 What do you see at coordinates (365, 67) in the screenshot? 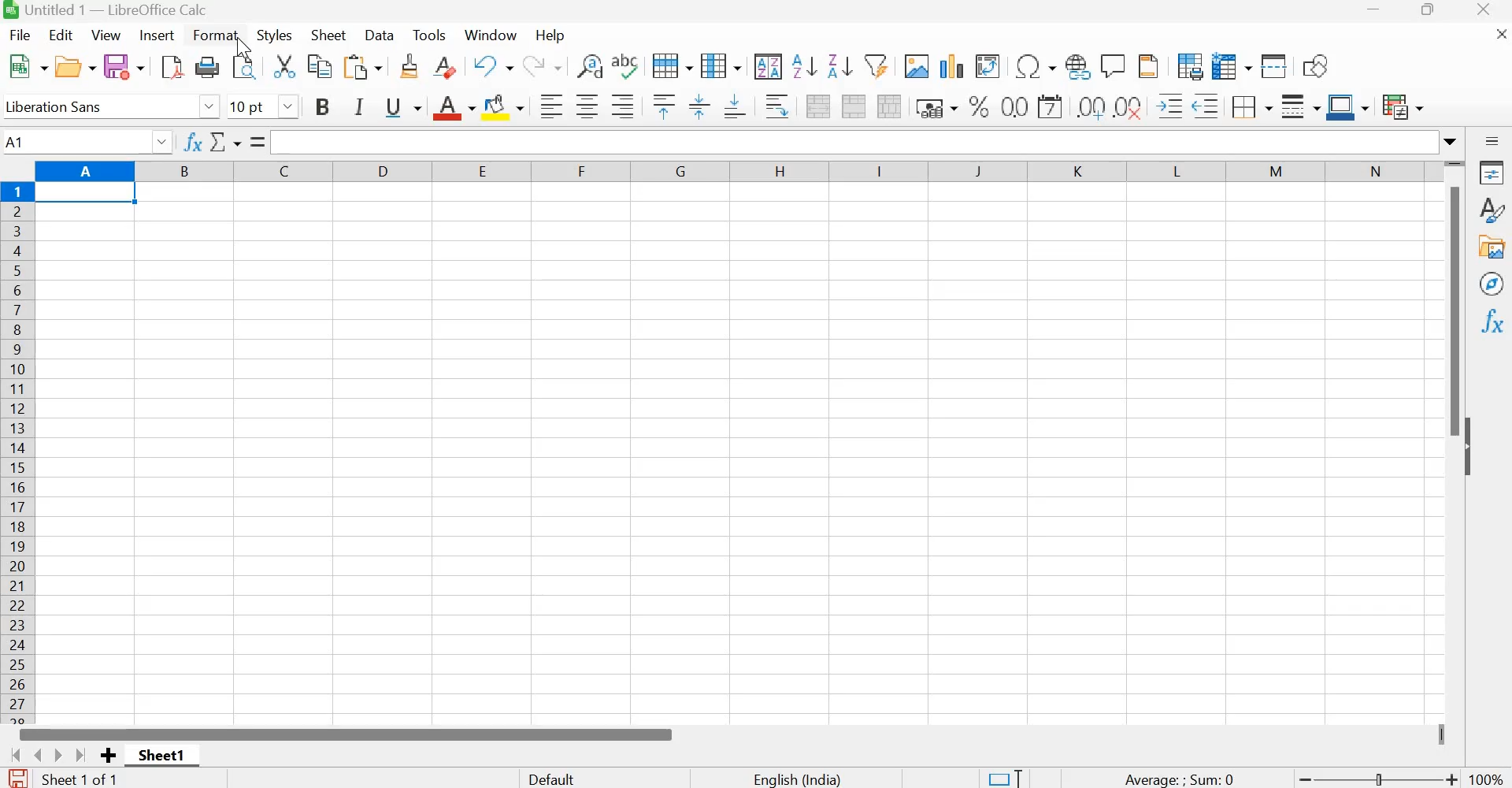
I see `Paste` at bounding box center [365, 67].